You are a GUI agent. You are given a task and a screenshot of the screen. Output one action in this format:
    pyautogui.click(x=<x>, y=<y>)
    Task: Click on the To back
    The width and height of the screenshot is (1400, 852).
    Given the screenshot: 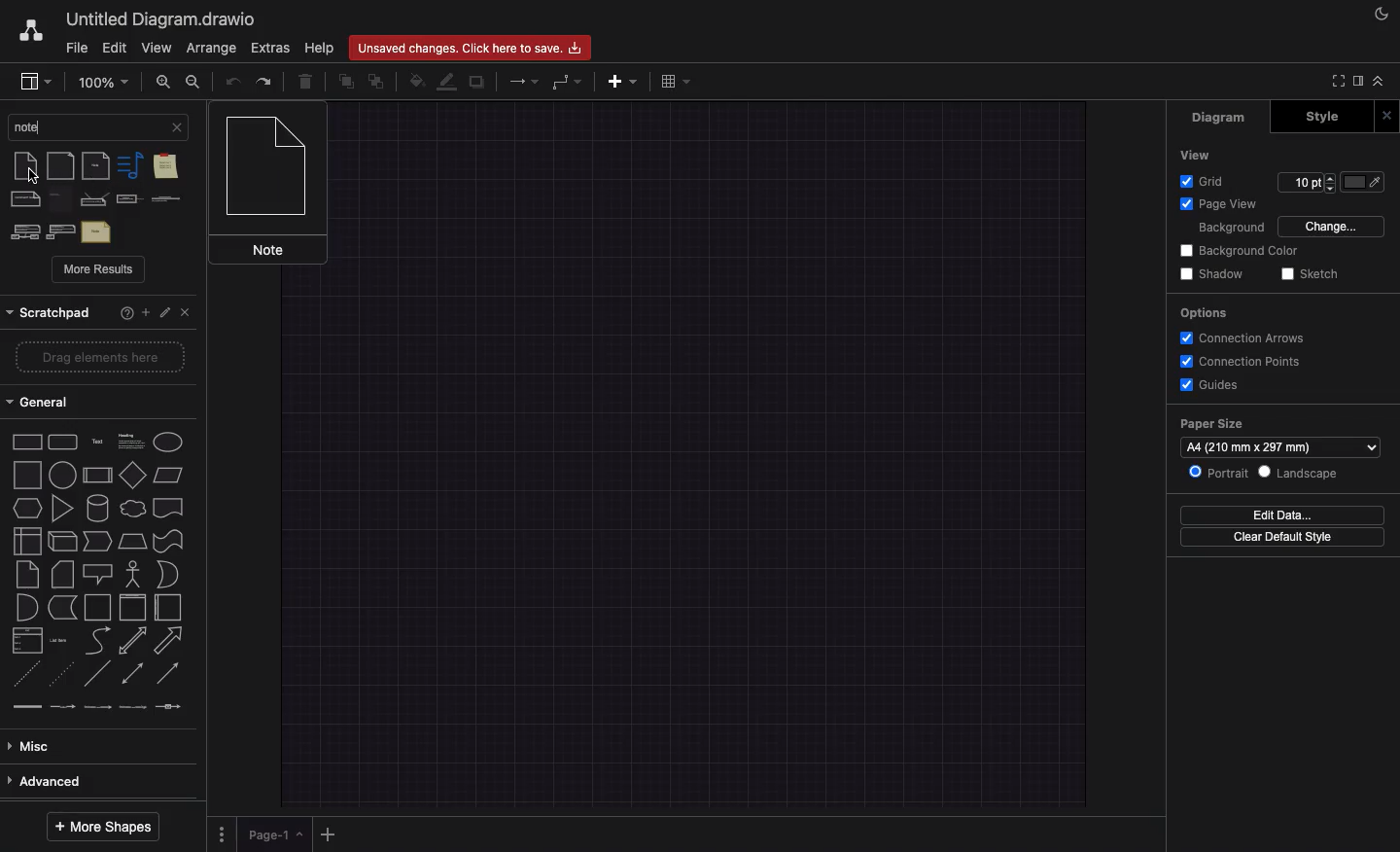 What is the action you would take?
    pyautogui.click(x=380, y=80)
    